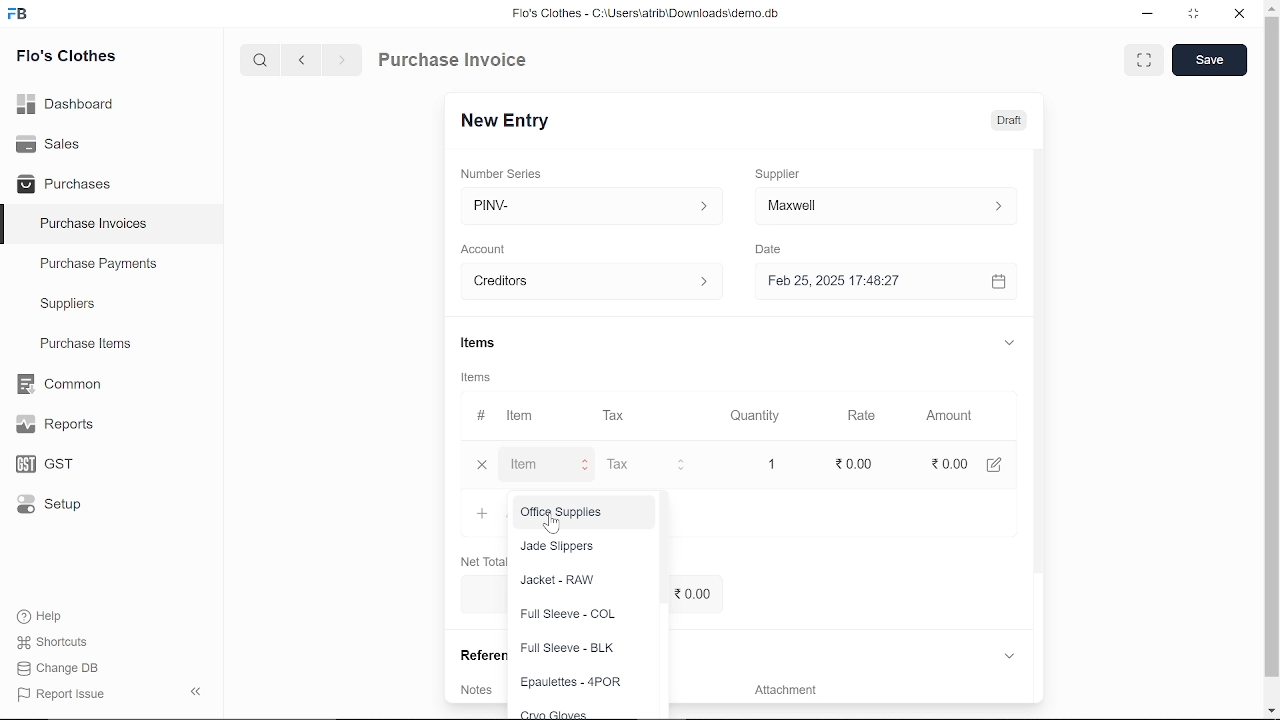  Describe the element at coordinates (581, 514) in the screenshot. I see `Office Supplies.` at that location.